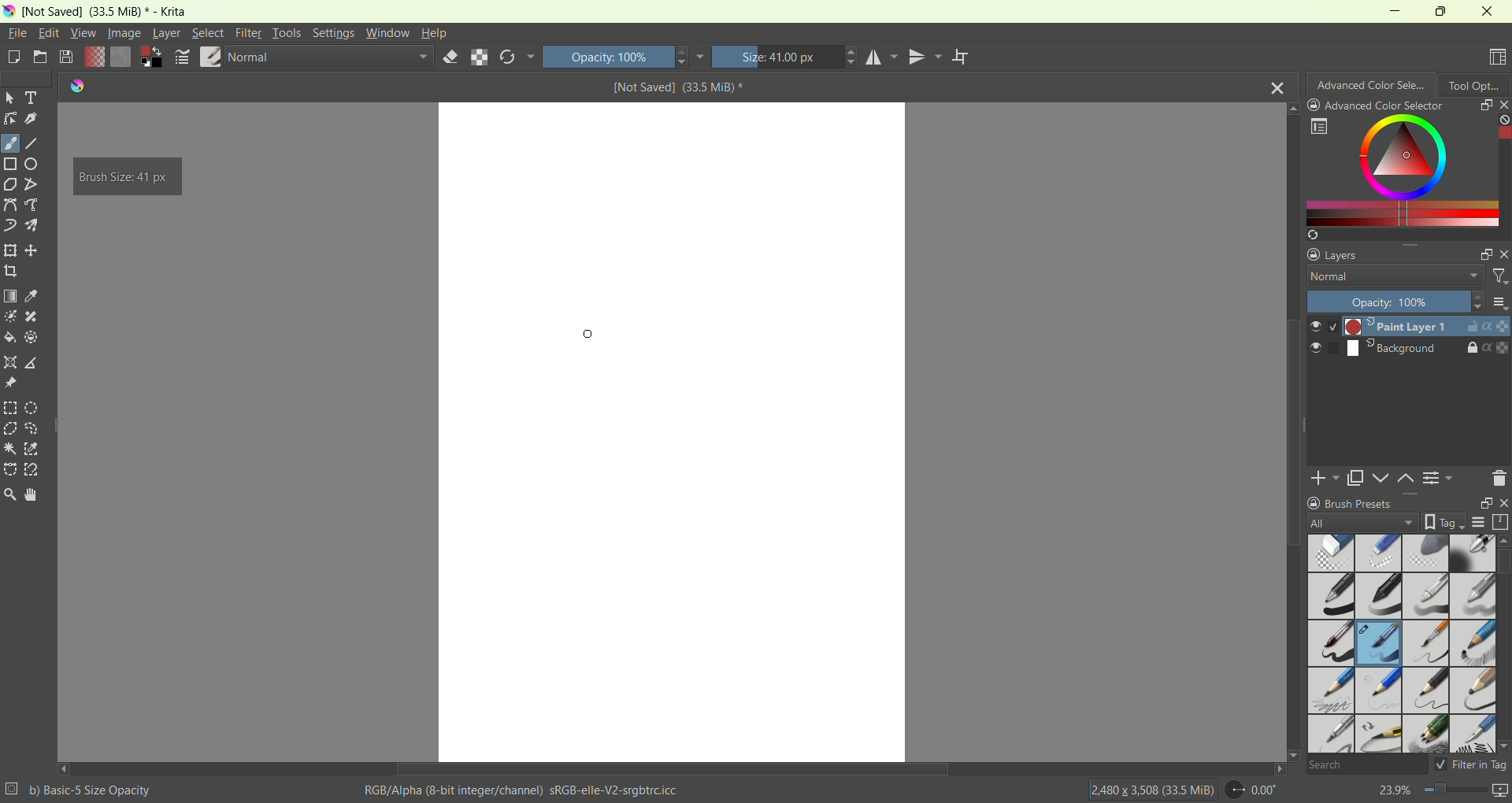  What do you see at coordinates (387, 33) in the screenshot?
I see `window` at bounding box center [387, 33].